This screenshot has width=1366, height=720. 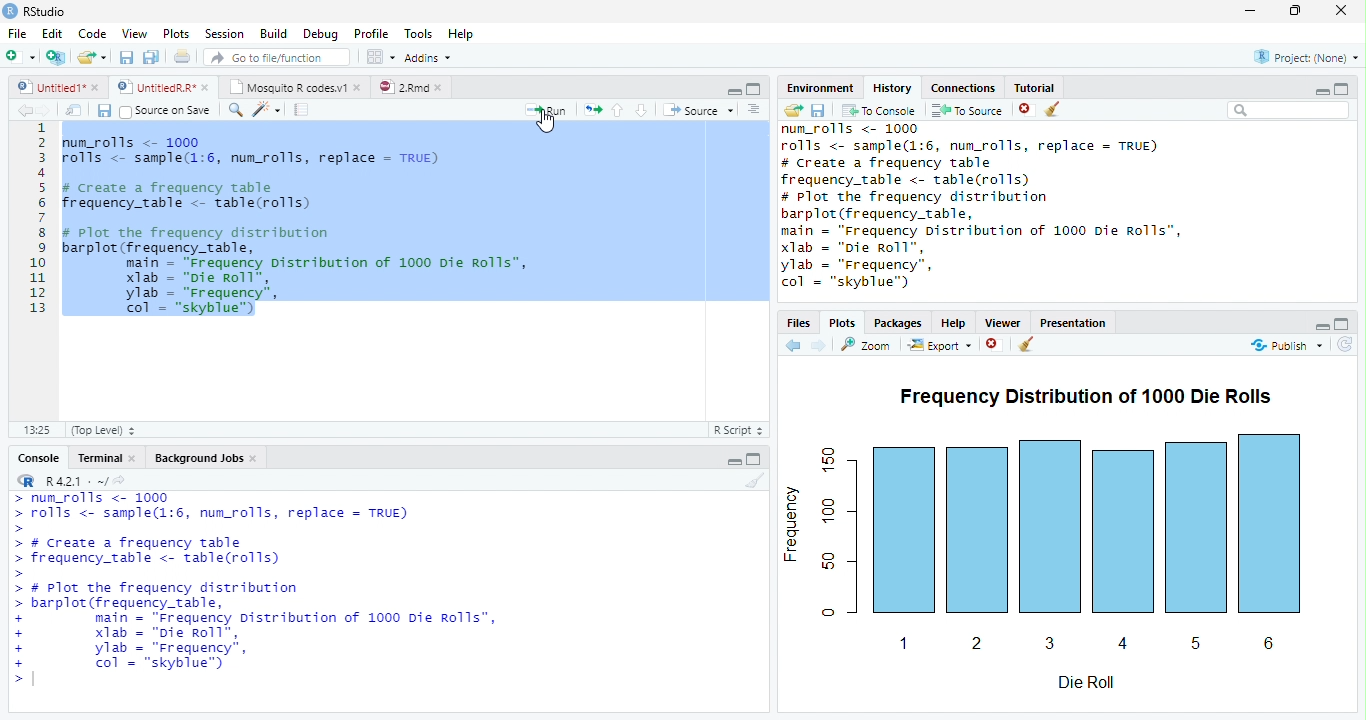 What do you see at coordinates (794, 346) in the screenshot?
I see `Previous Slot` at bounding box center [794, 346].